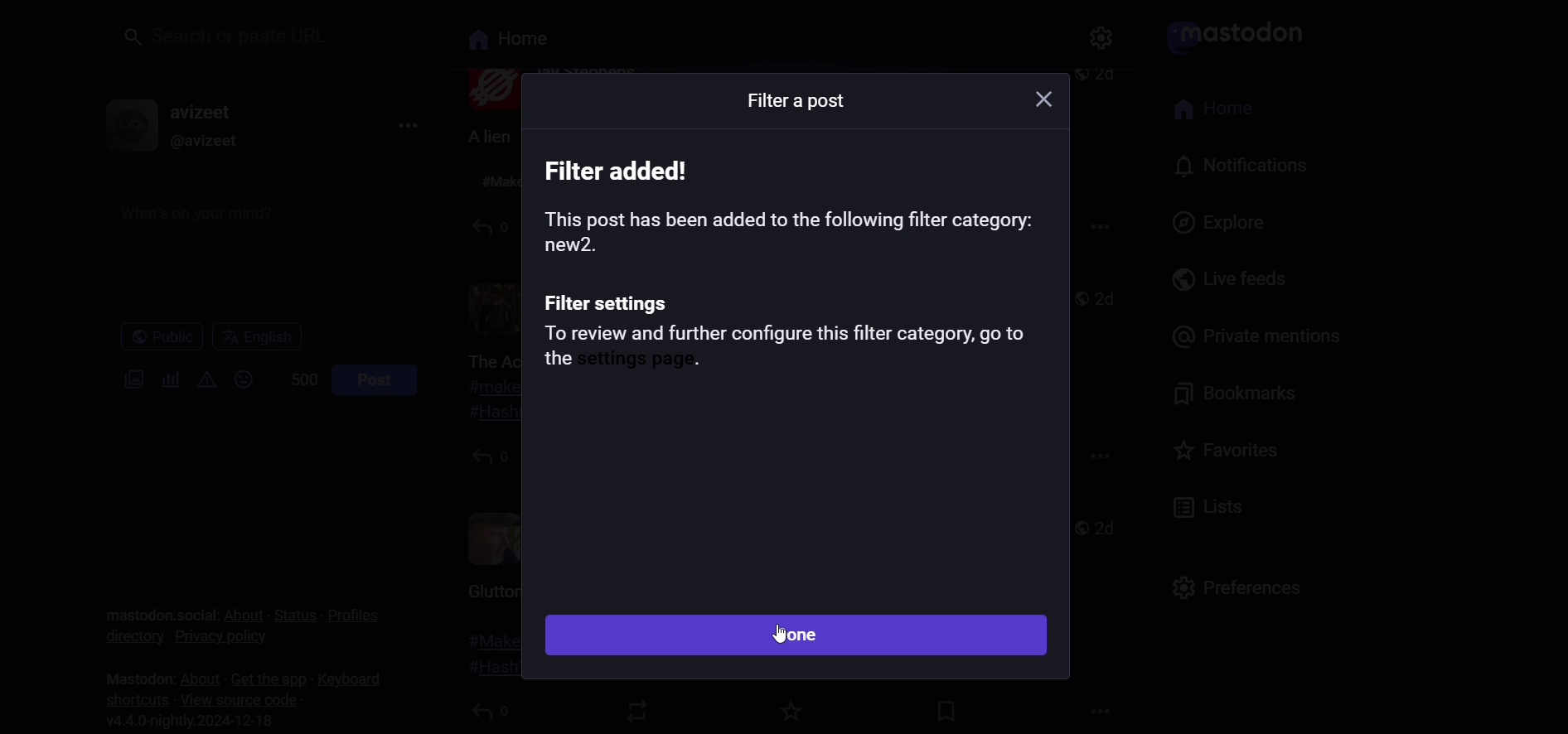 The height and width of the screenshot is (734, 1568). Describe the element at coordinates (795, 635) in the screenshot. I see `done` at that location.